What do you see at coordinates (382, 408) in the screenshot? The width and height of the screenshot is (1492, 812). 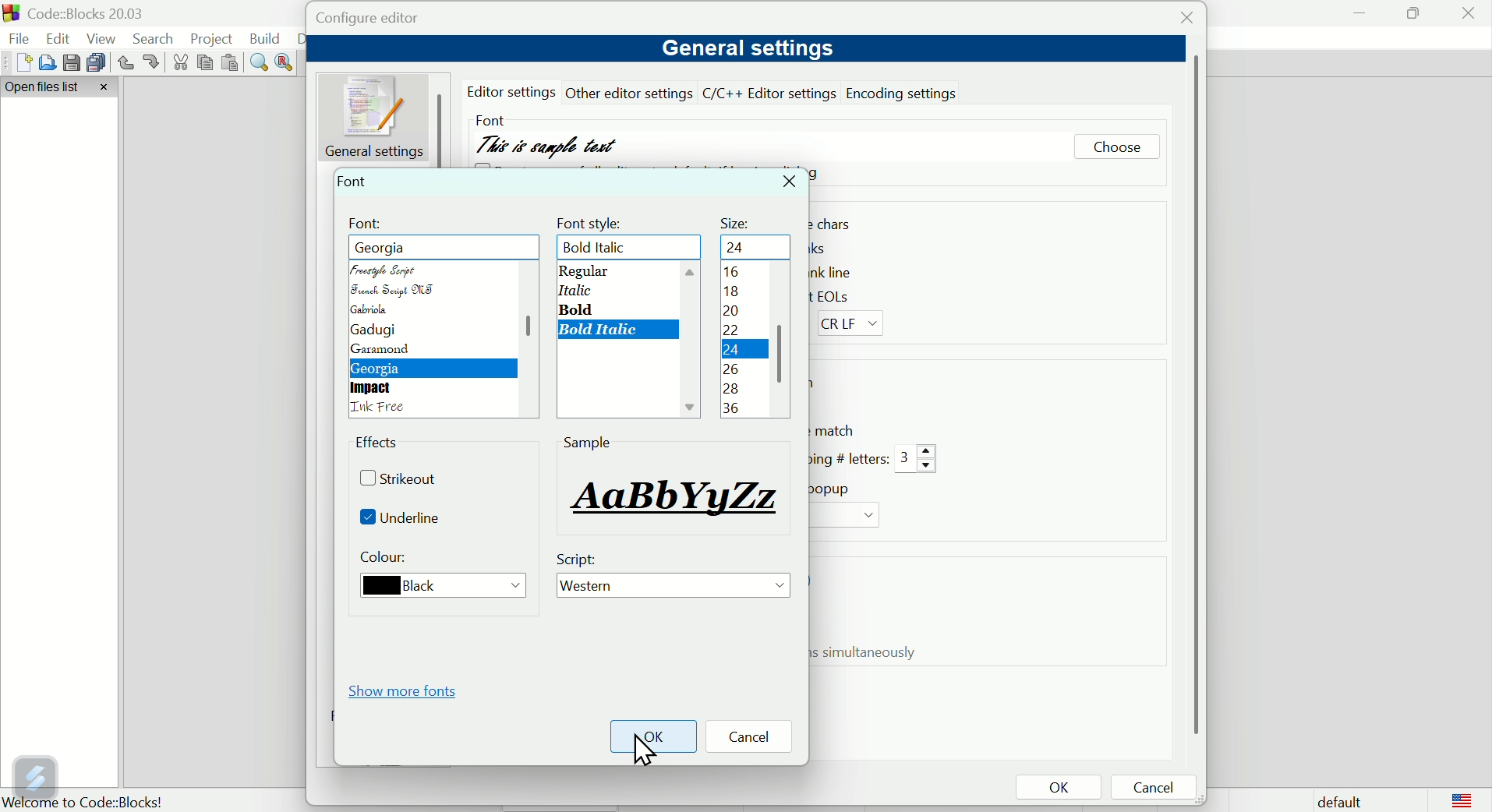 I see `language` at bounding box center [382, 408].